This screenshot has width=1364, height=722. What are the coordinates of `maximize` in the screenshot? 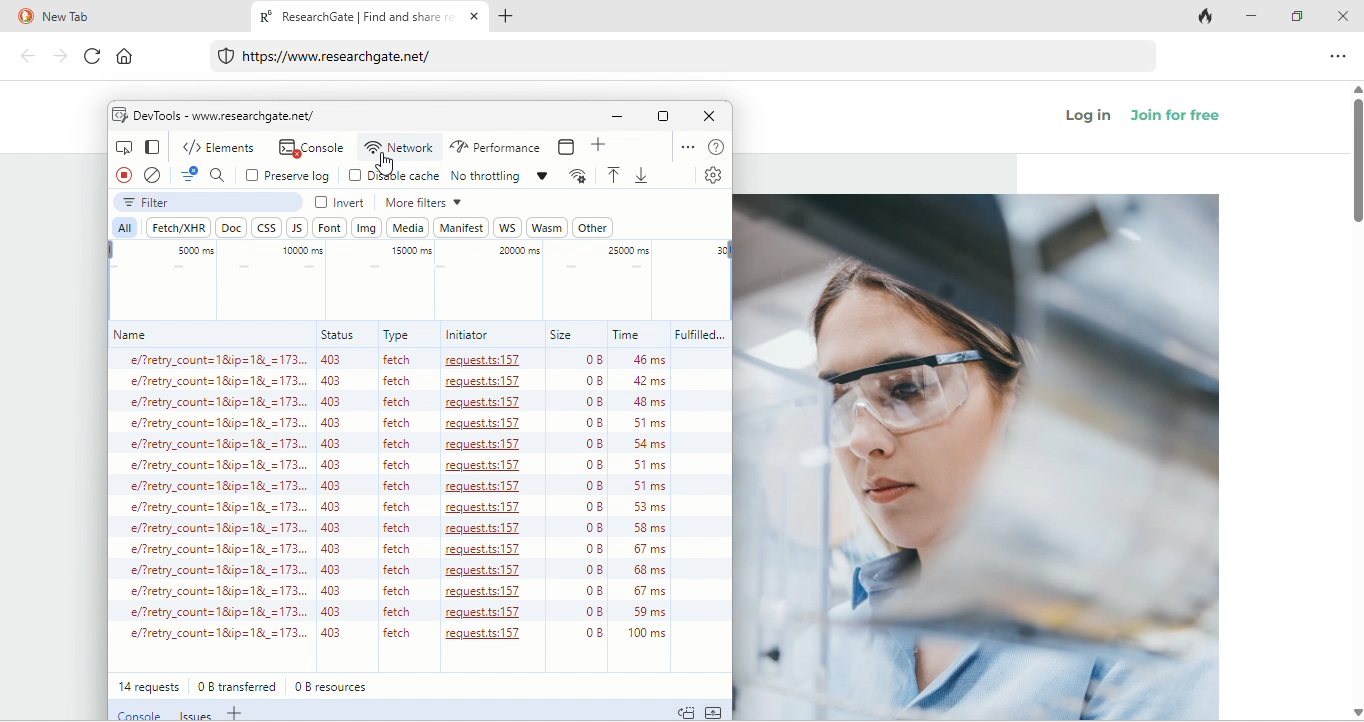 It's located at (1300, 15).